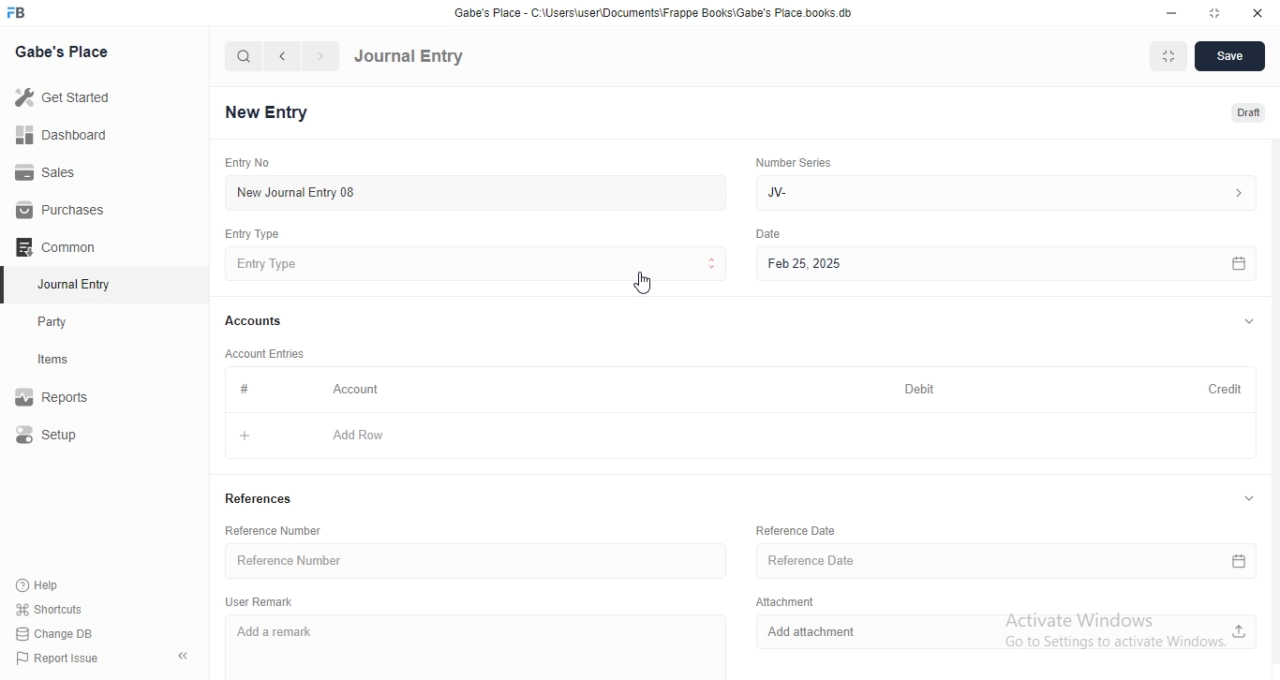 The height and width of the screenshot is (680, 1280). Describe the element at coordinates (793, 164) in the screenshot. I see `Number Series` at that location.